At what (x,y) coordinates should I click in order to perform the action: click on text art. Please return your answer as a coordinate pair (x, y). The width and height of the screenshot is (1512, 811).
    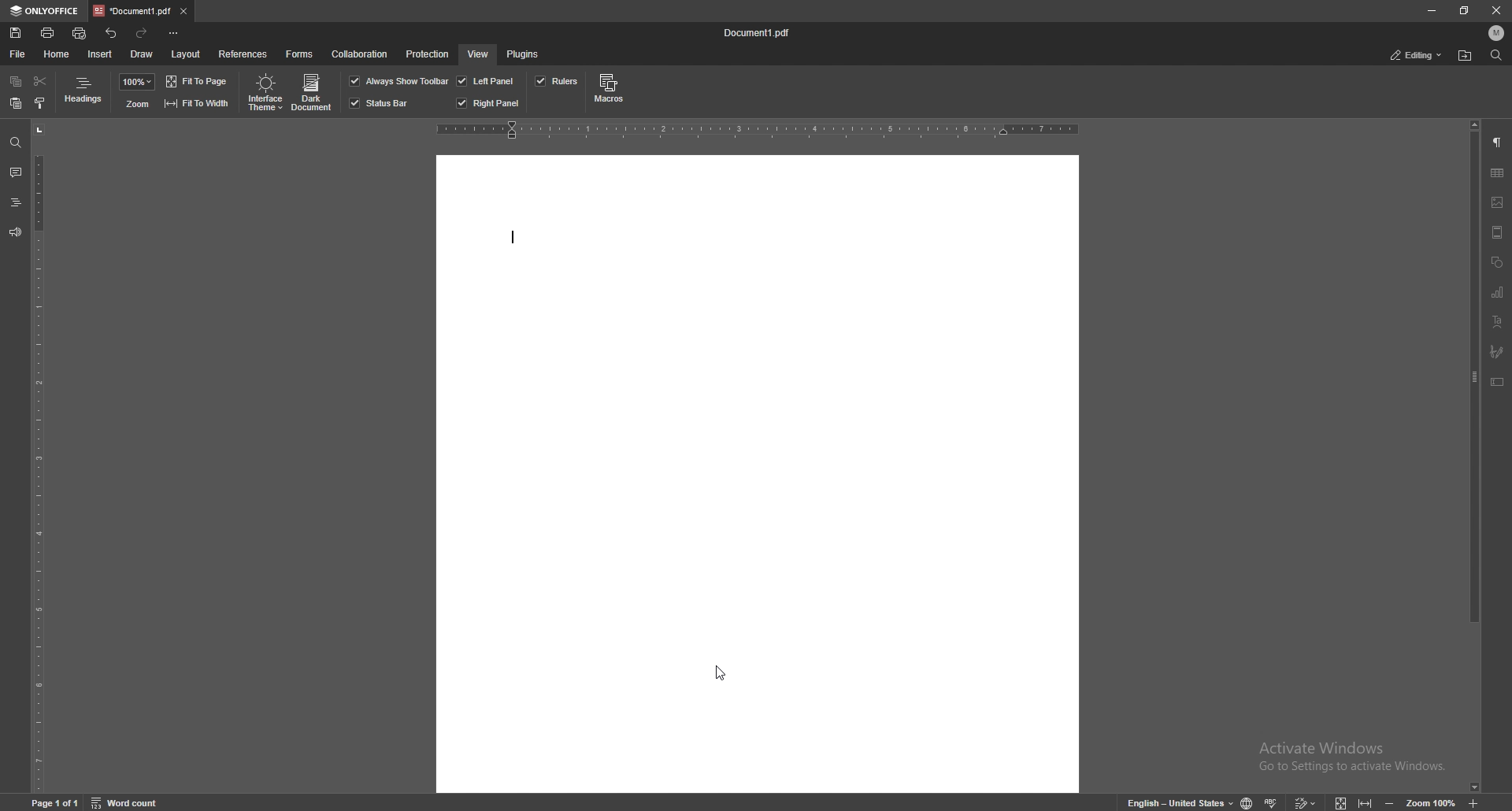
    Looking at the image, I should click on (1497, 321).